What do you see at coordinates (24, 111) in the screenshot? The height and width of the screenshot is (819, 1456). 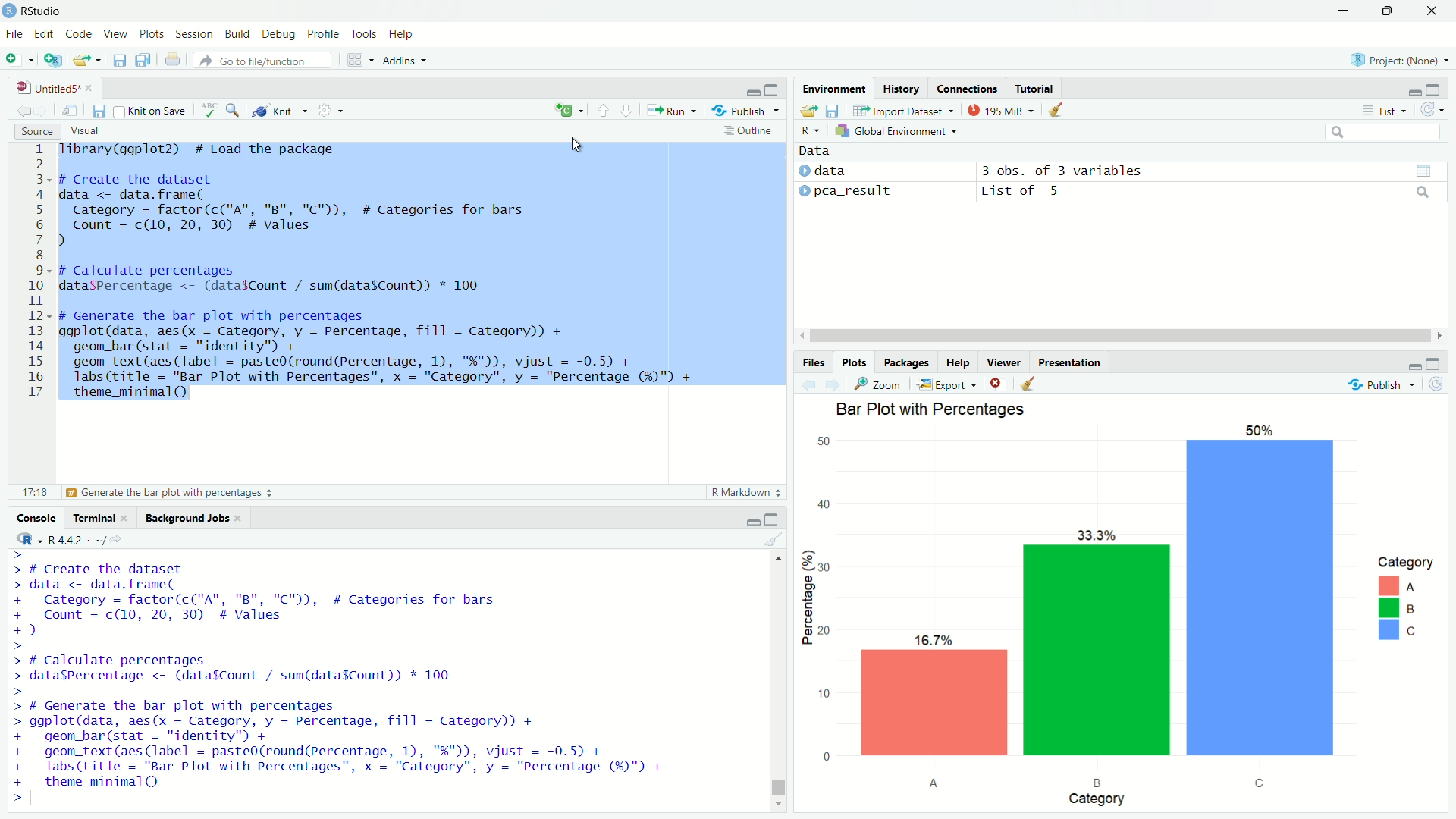 I see `go back` at bounding box center [24, 111].